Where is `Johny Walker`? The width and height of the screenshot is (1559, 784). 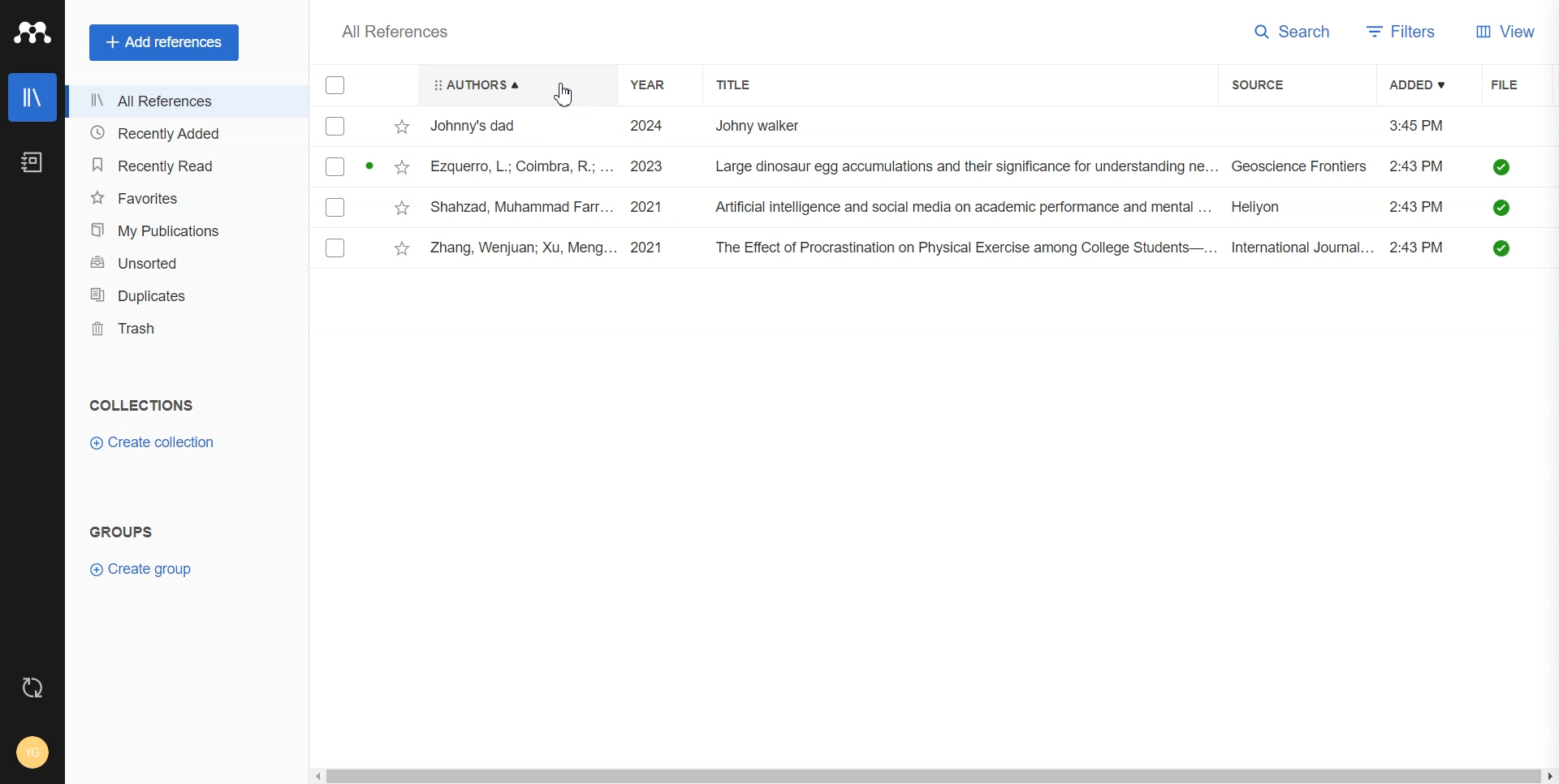
Johny Walker is located at coordinates (763, 126).